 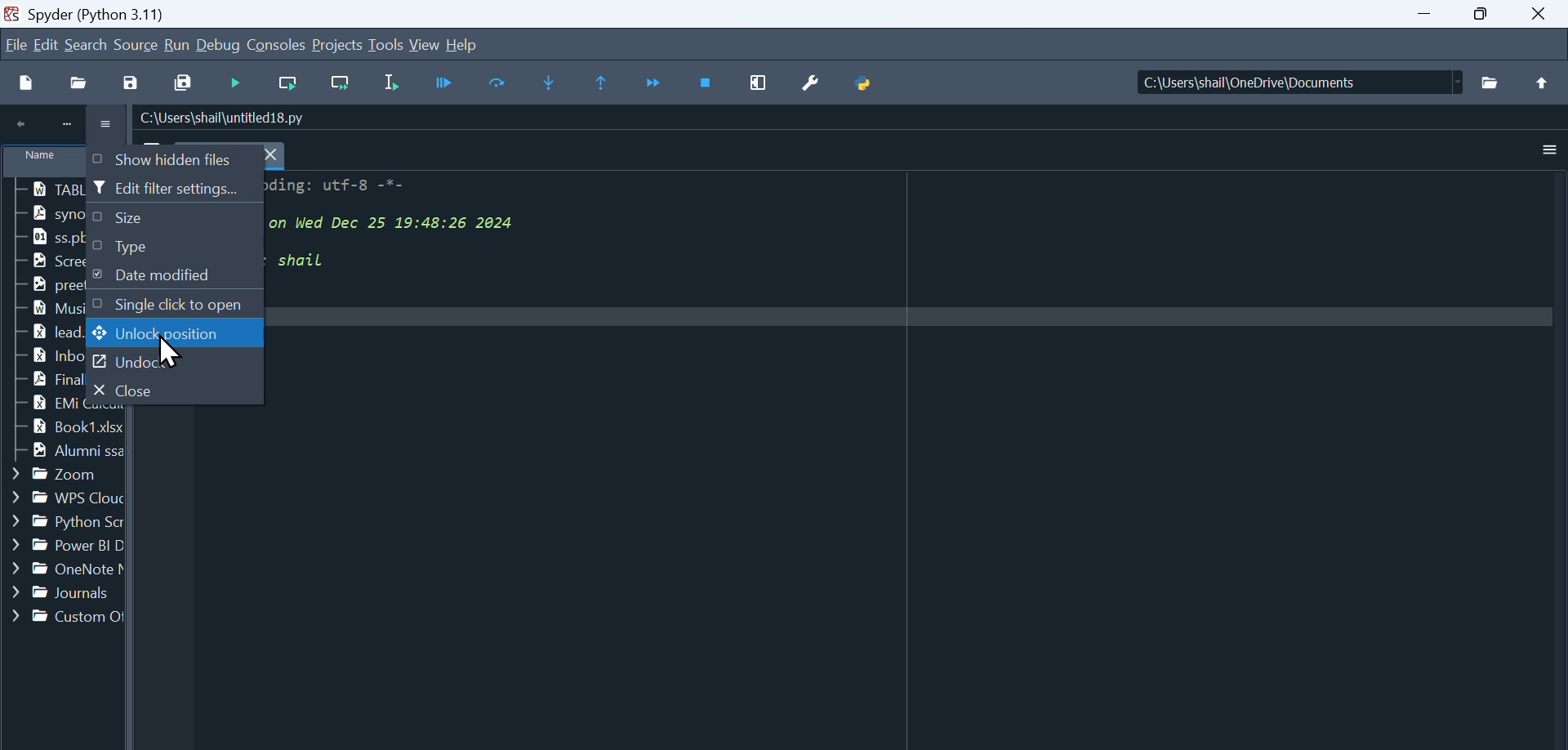 What do you see at coordinates (174, 190) in the screenshot?
I see `edit filter settings` at bounding box center [174, 190].